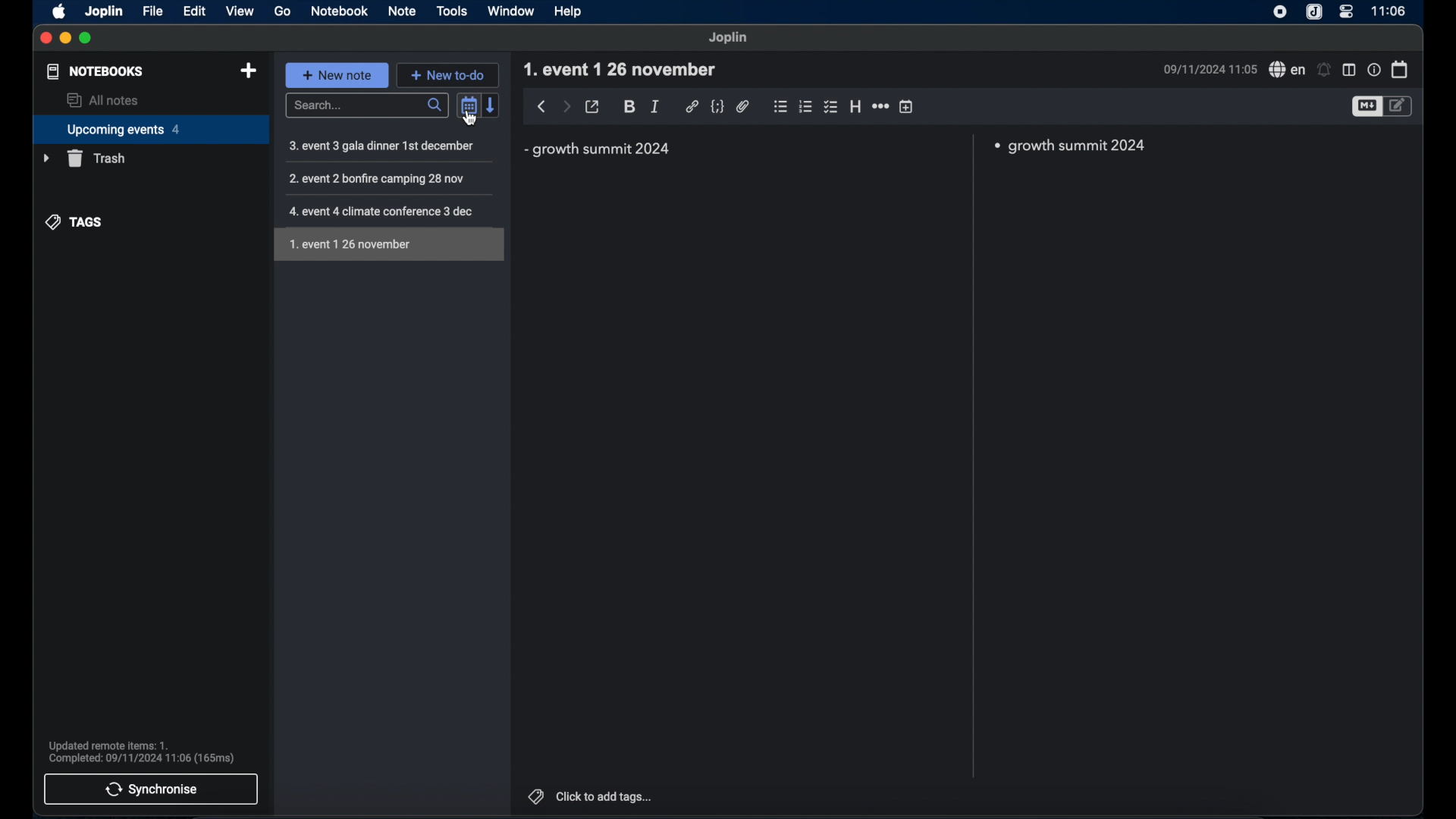 This screenshot has height=819, width=1456. I want to click on close, so click(45, 37).